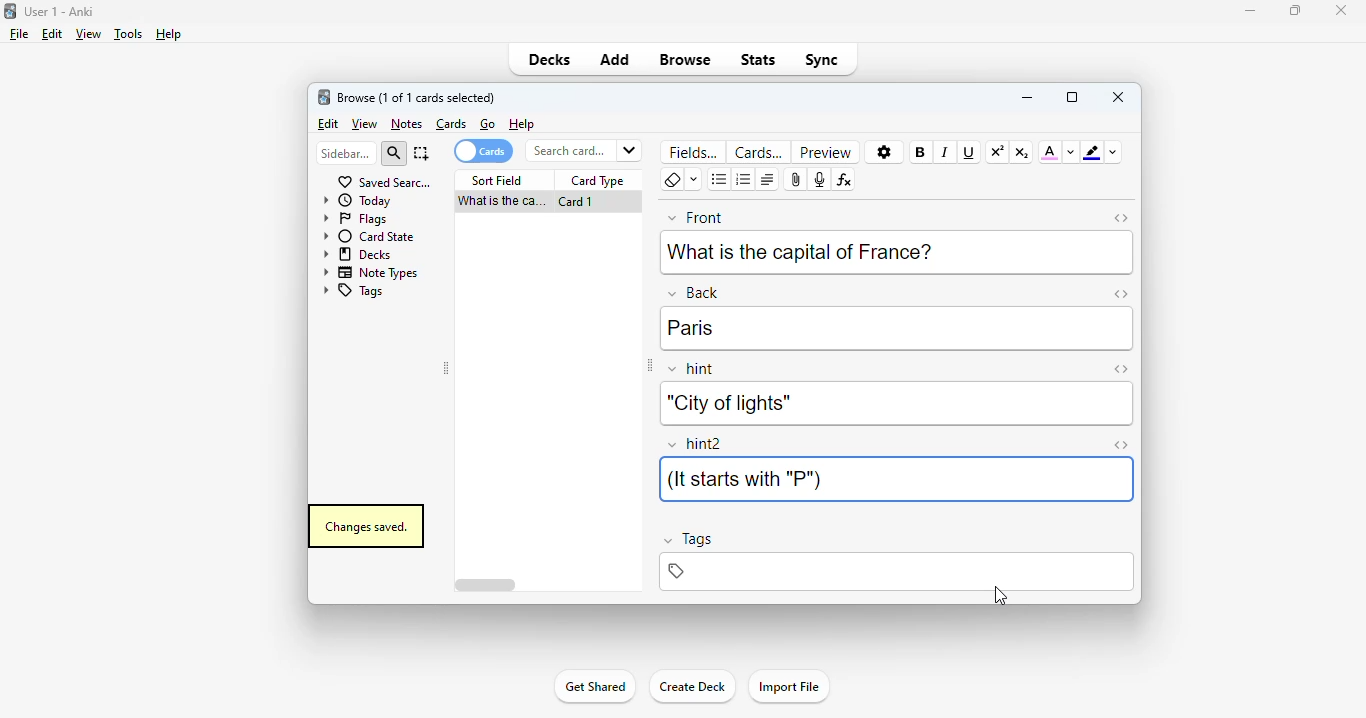  Describe the element at coordinates (365, 125) in the screenshot. I see `view` at that location.